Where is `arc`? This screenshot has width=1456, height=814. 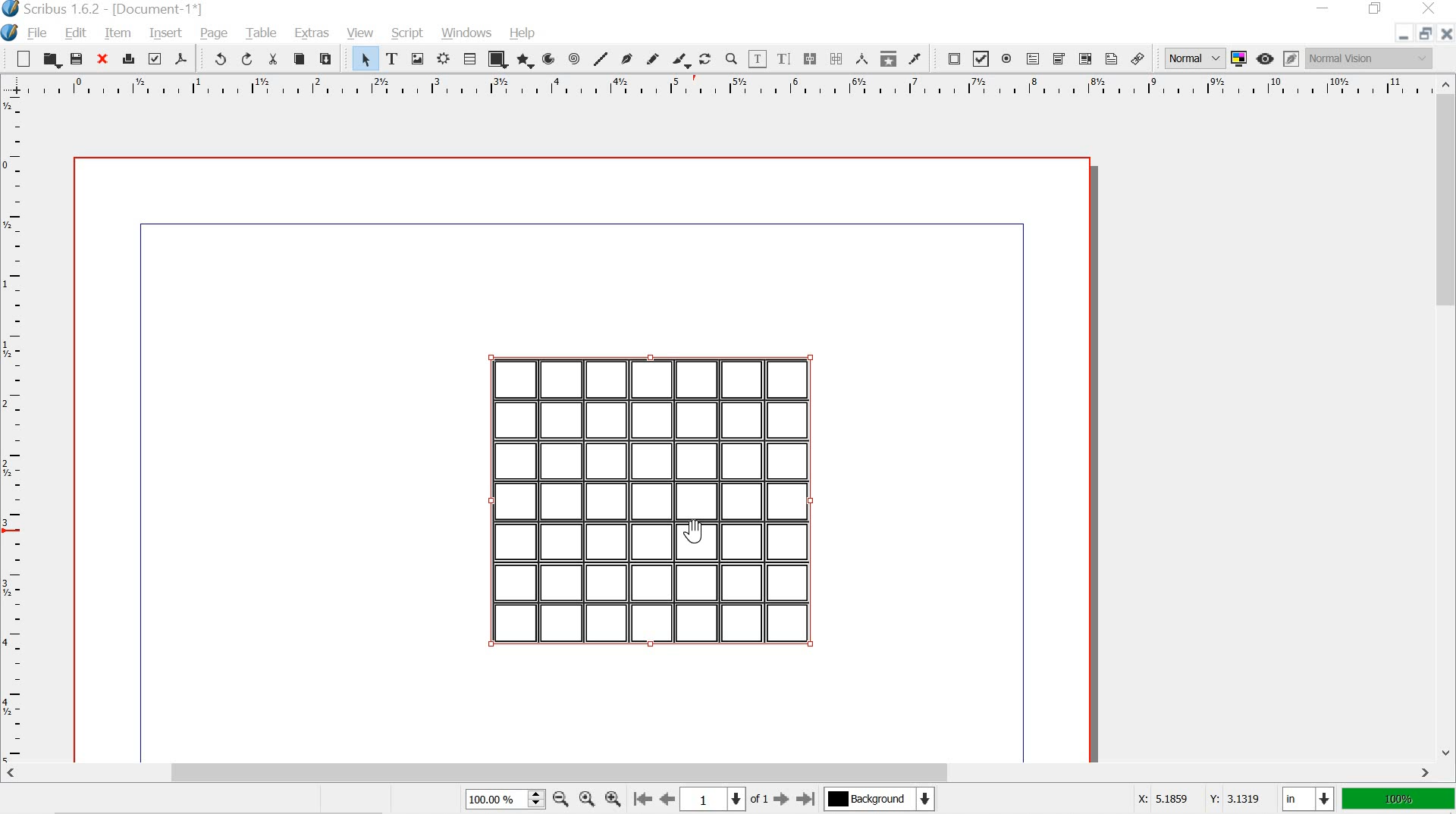
arc is located at coordinates (547, 58).